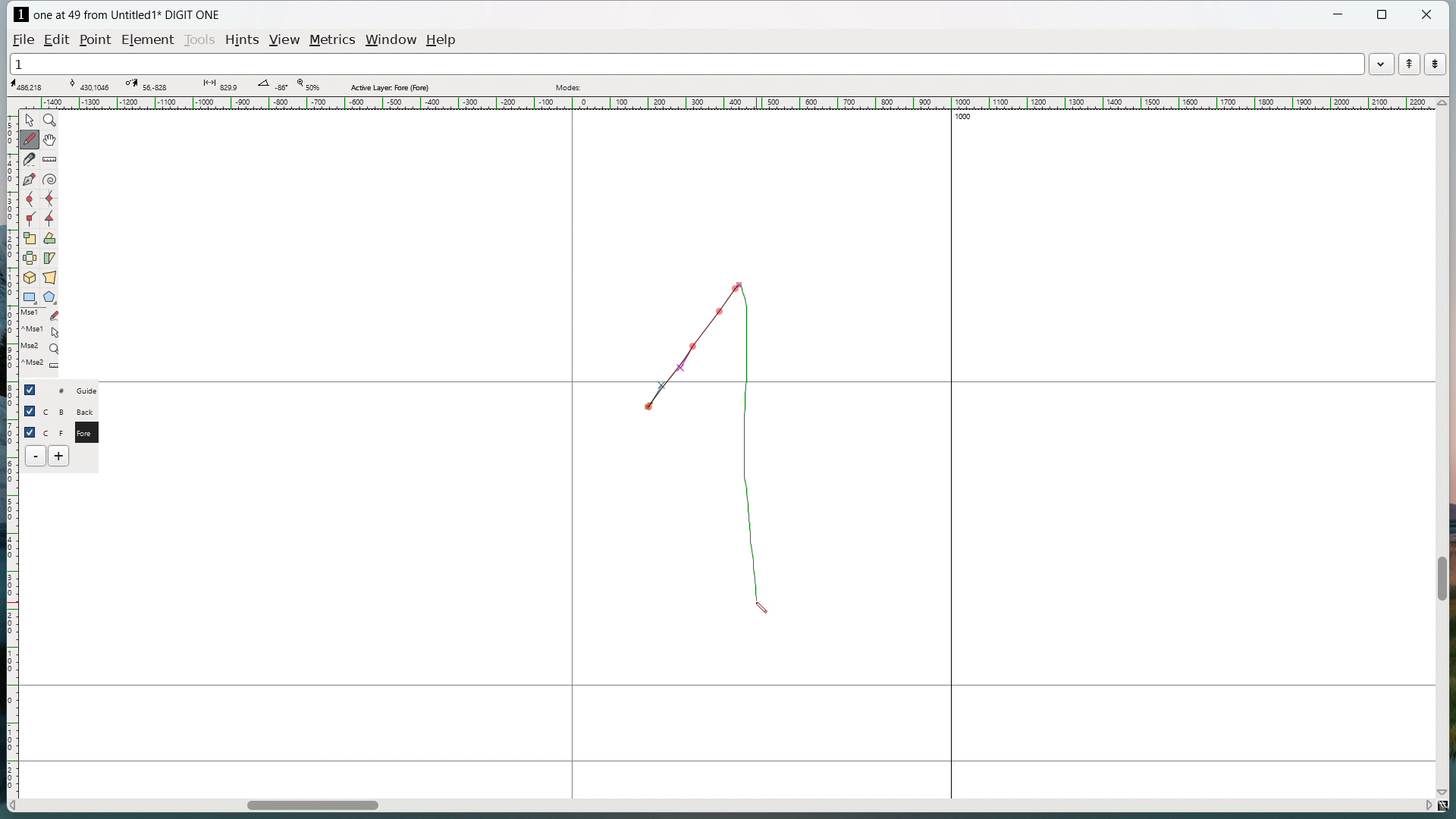 The height and width of the screenshot is (819, 1456). Describe the element at coordinates (52, 139) in the screenshot. I see `scroll by hand` at that location.